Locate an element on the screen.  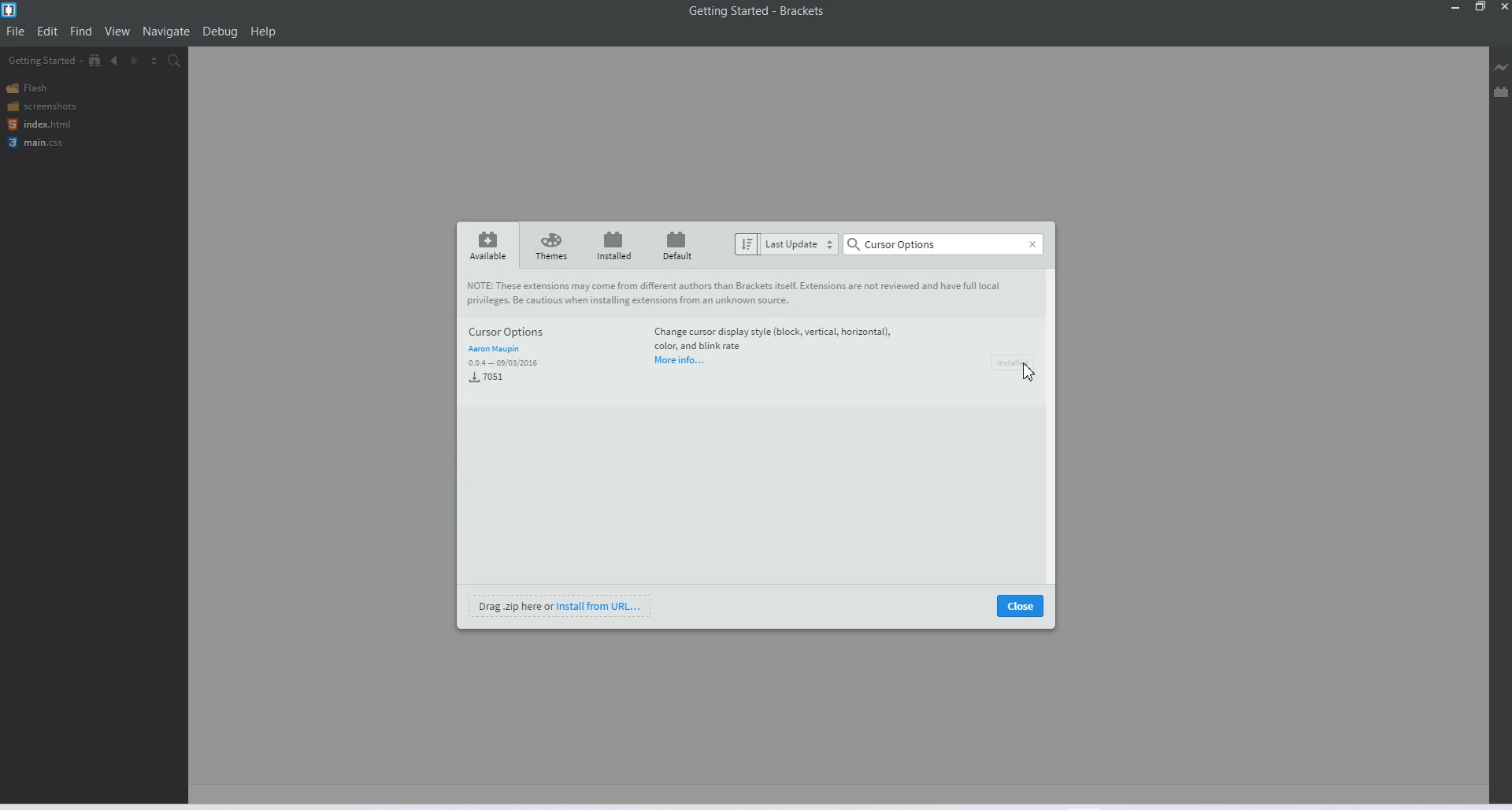
cursor is located at coordinates (1028, 374).